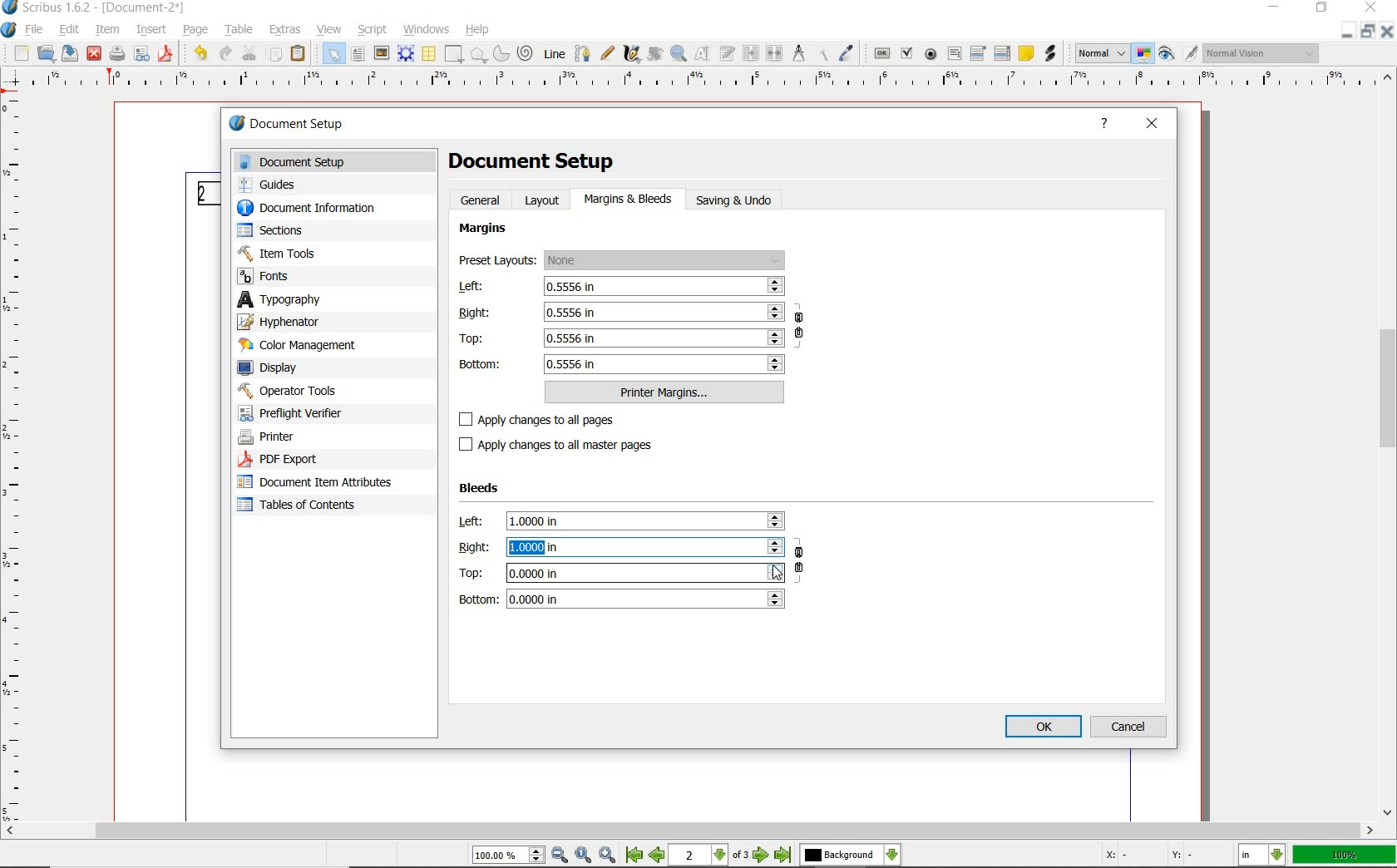 This screenshot has height=868, width=1397. I want to click on close, so click(94, 53).